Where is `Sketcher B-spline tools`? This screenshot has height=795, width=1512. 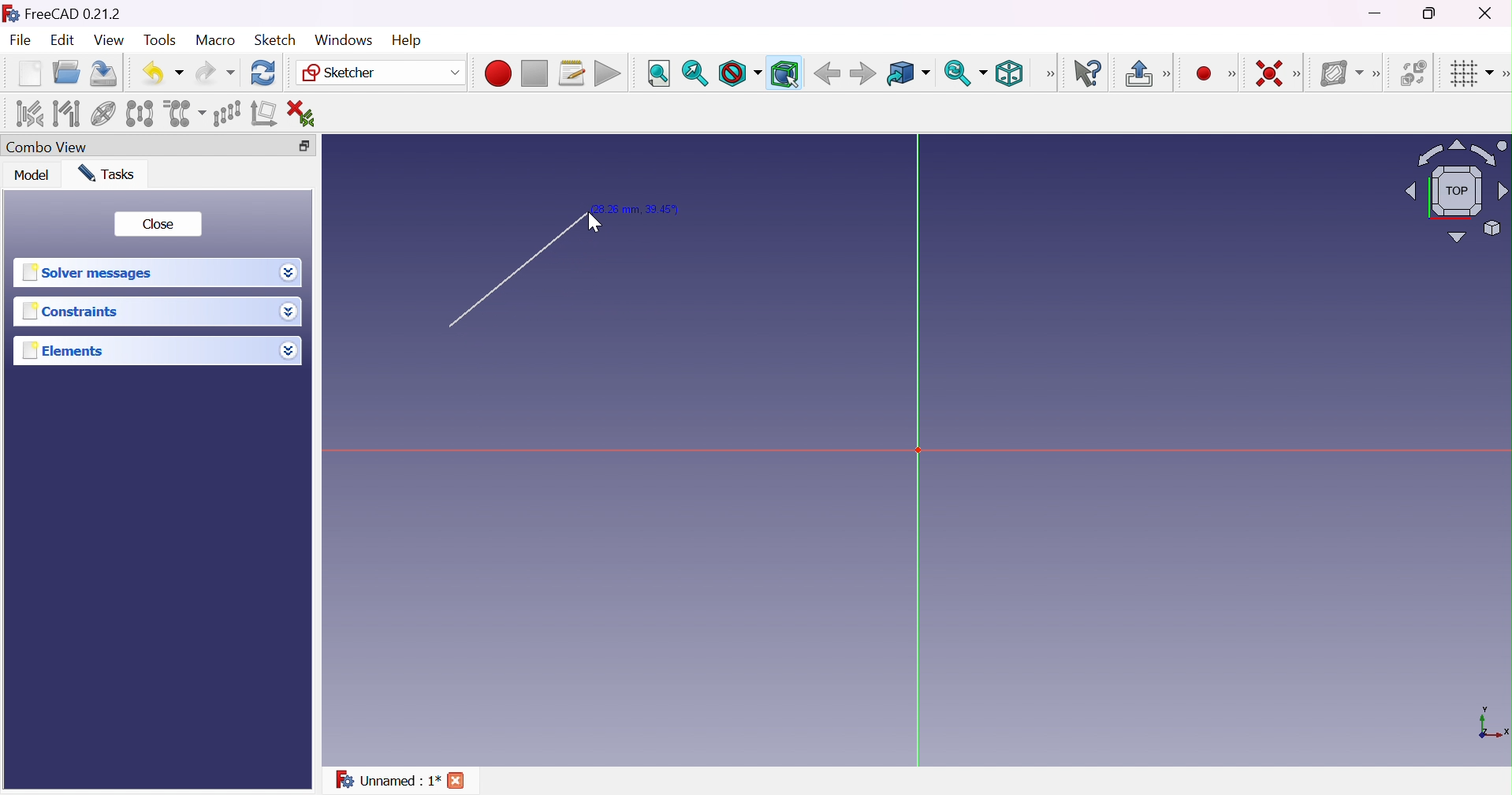
Sketcher B-spline tools is located at coordinates (1381, 76).